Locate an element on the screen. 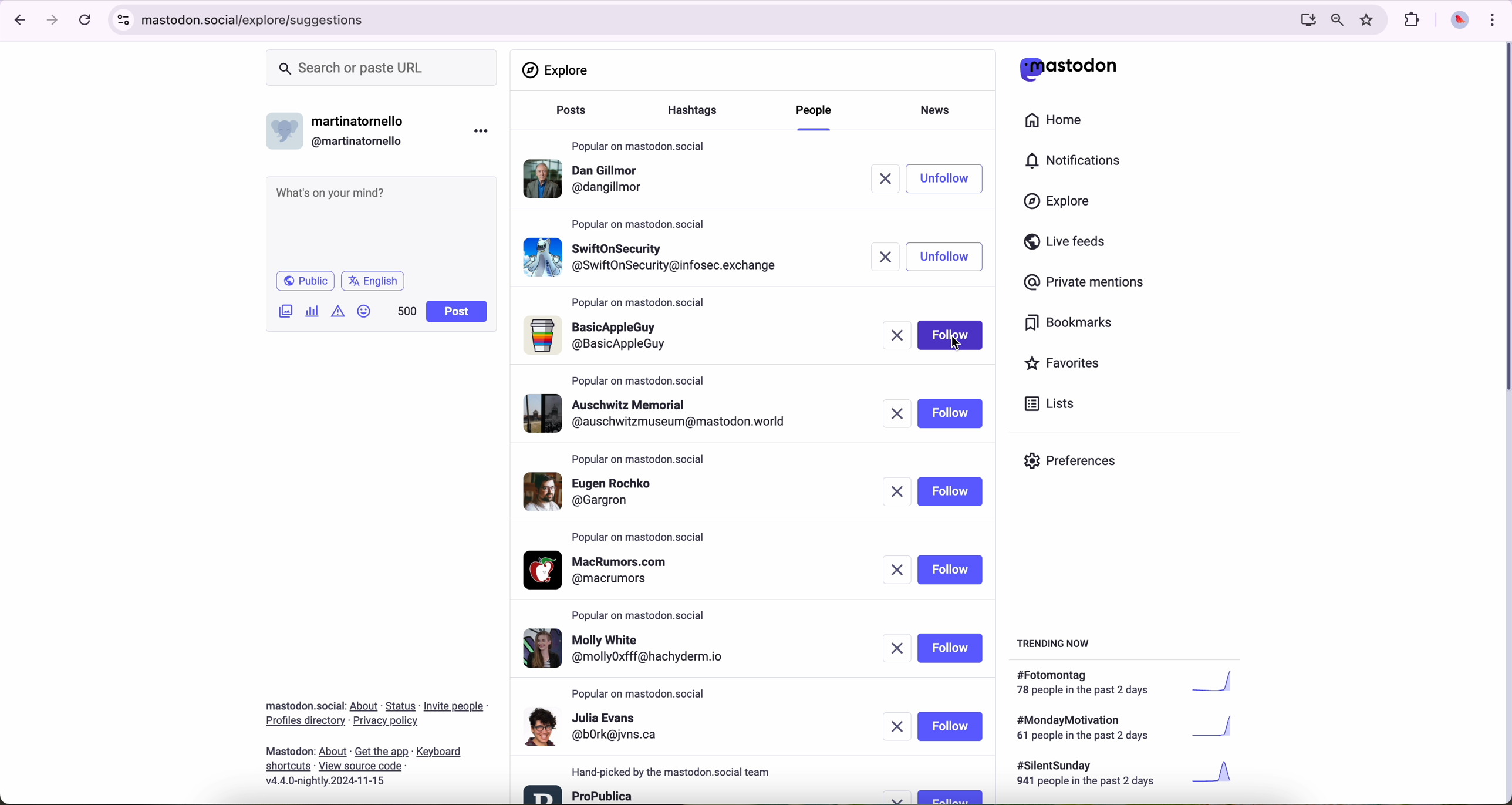  charts is located at coordinates (315, 311).